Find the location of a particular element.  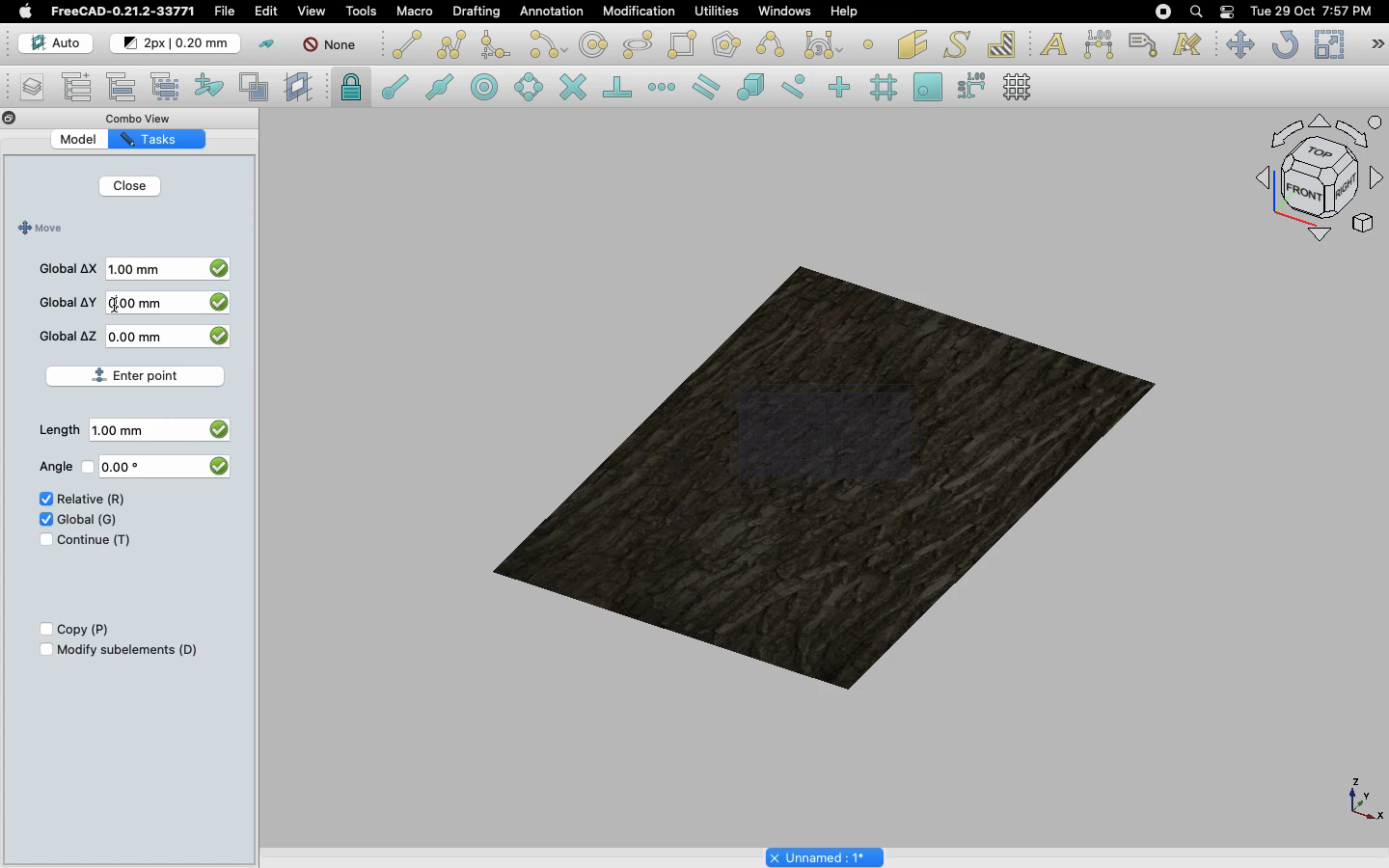

Draft modification tools is located at coordinates (1376, 46).